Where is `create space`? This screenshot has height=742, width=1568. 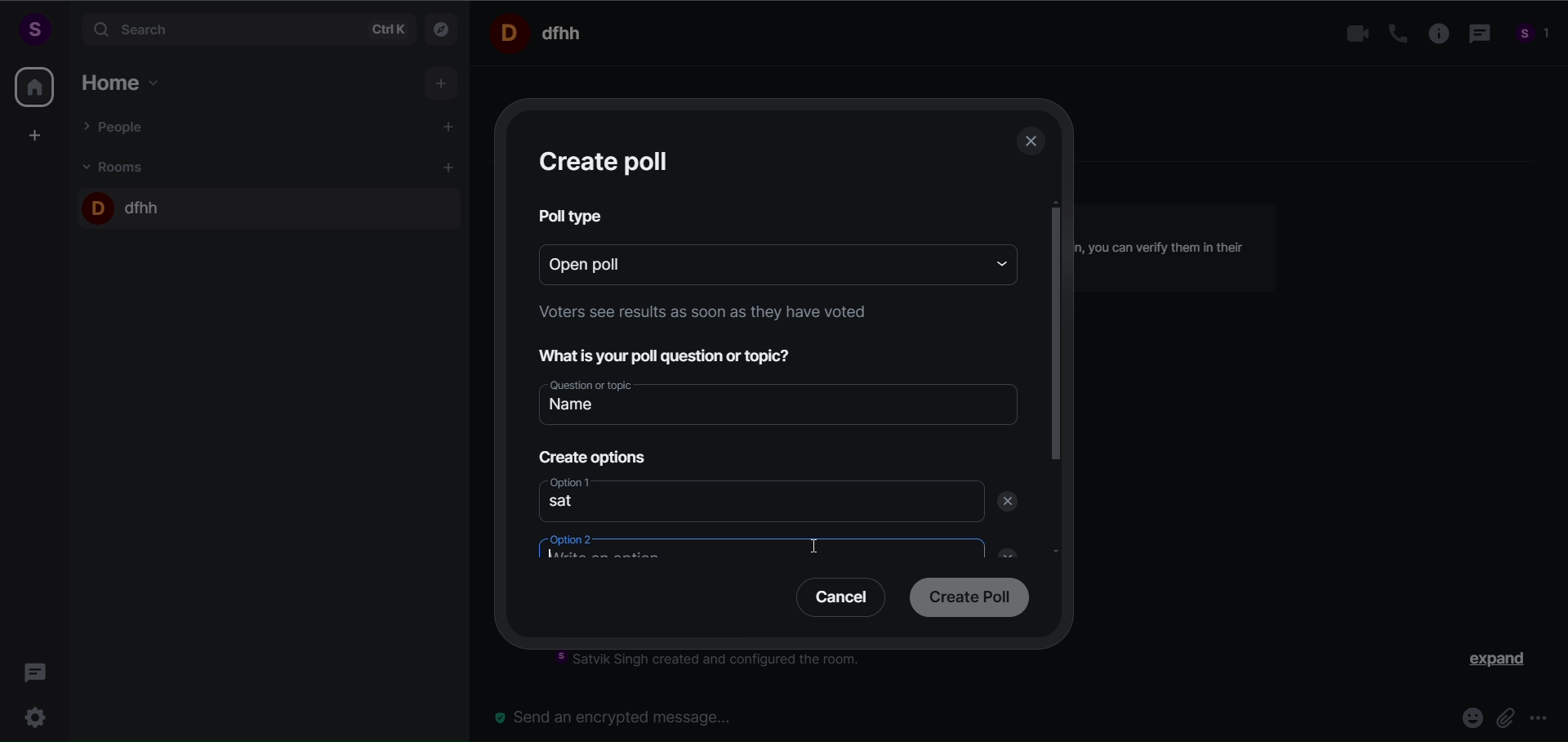 create space is located at coordinates (35, 135).